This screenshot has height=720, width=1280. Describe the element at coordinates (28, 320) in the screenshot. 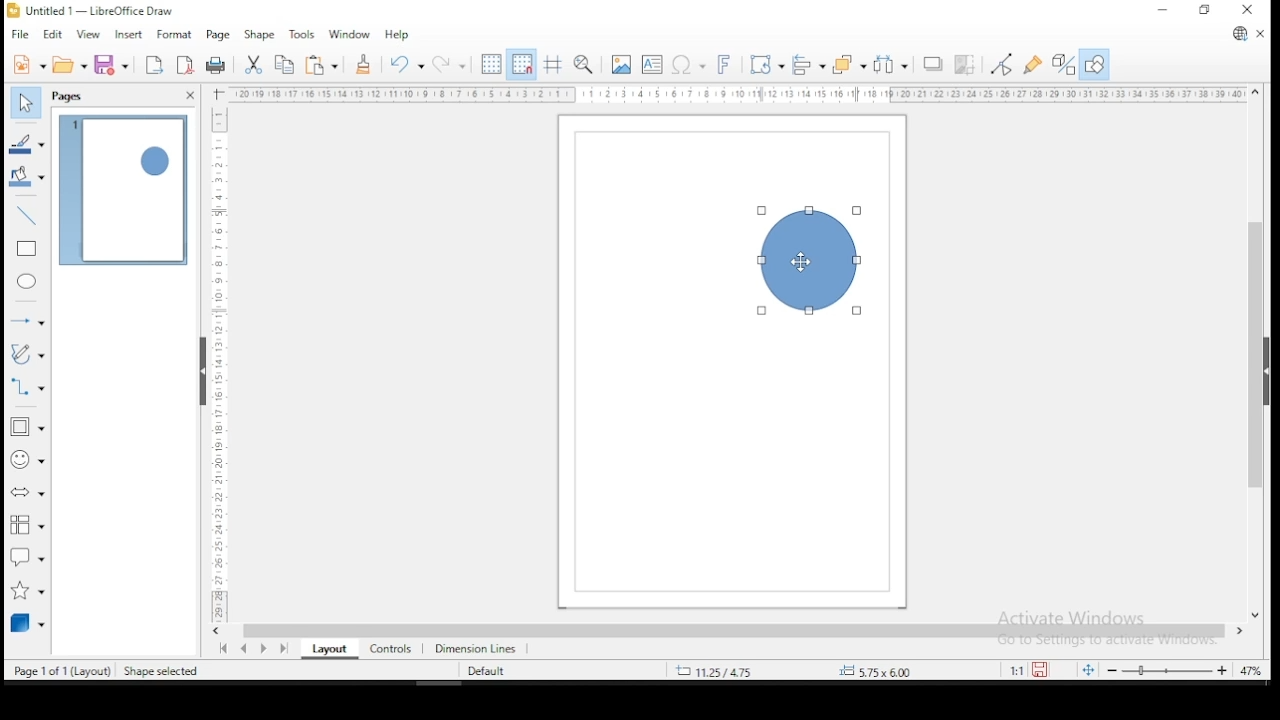

I see `lines and arrows` at that location.